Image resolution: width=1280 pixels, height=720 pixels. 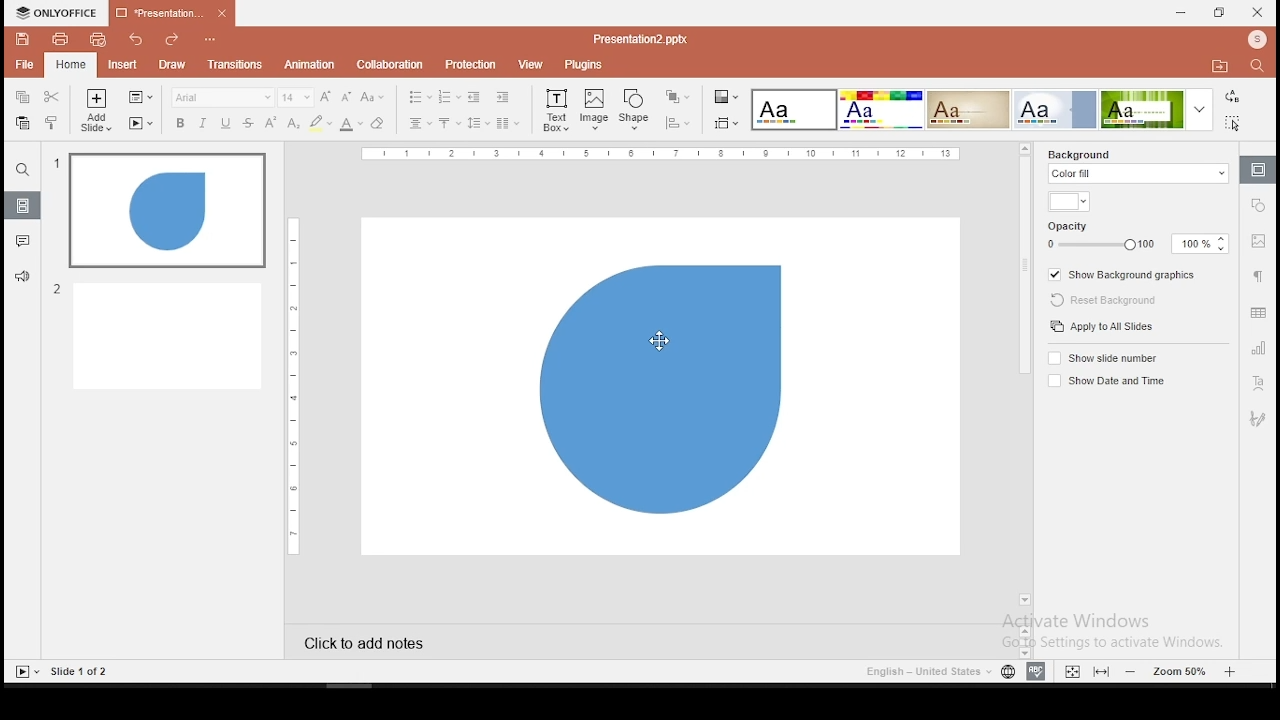 What do you see at coordinates (139, 97) in the screenshot?
I see `change slide layout` at bounding box center [139, 97].